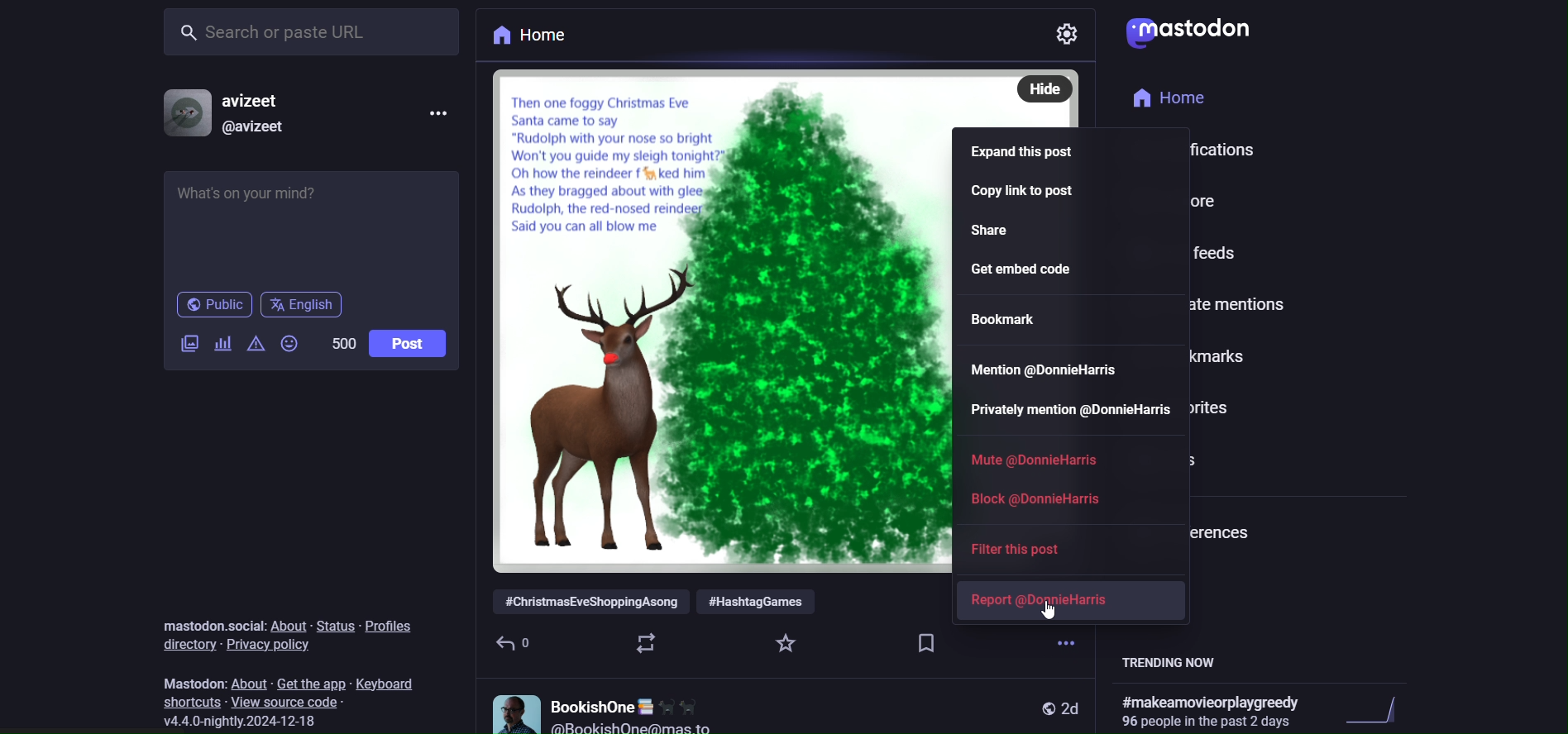 The image size is (1568, 734). Describe the element at coordinates (588, 600) in the screenshot. I see `#ChristmasEveShoppingAsong` at that location.